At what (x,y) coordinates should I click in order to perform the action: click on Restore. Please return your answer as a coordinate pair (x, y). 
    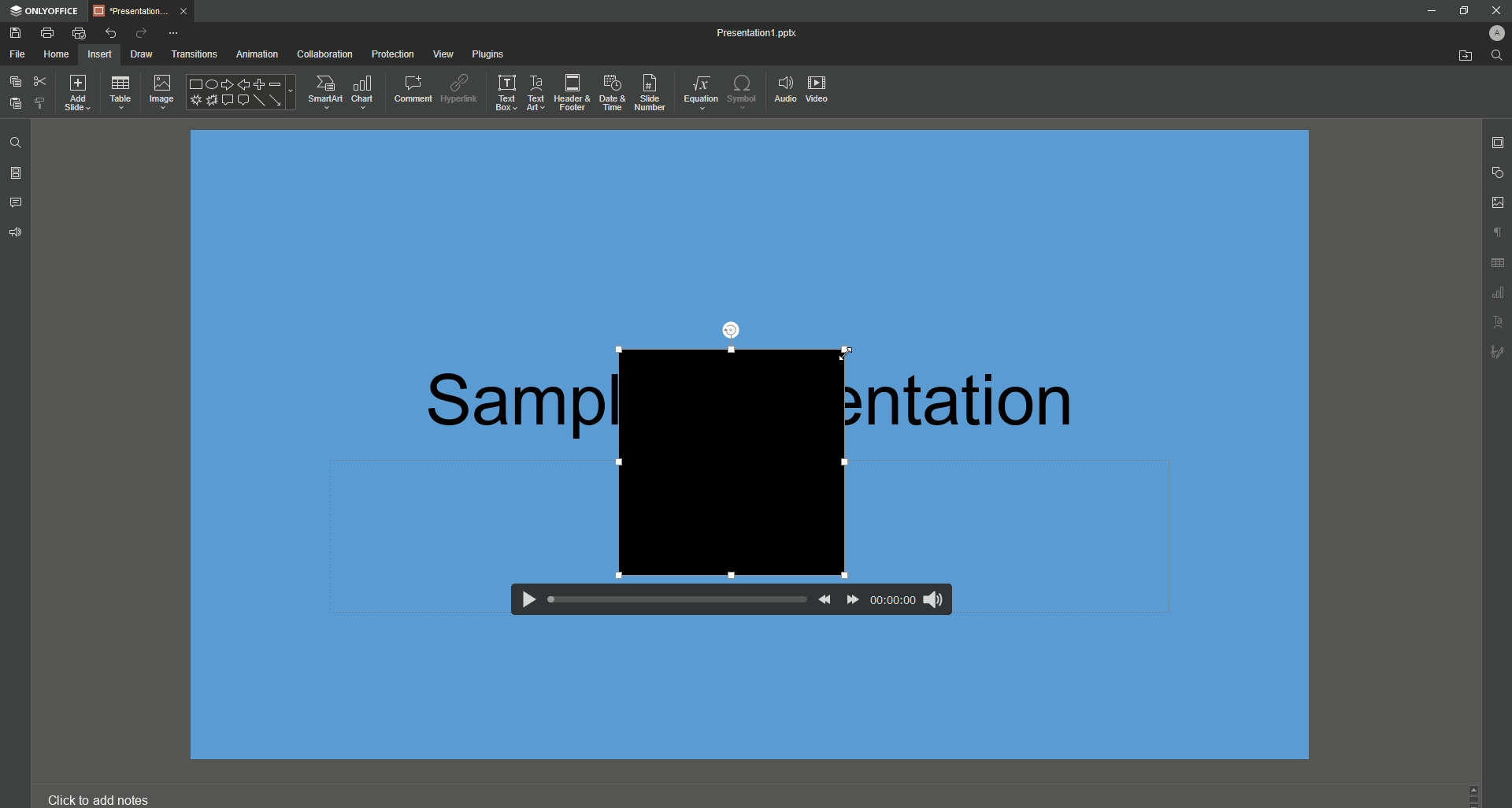
    Looking at the image, I should click on (1463, 11).